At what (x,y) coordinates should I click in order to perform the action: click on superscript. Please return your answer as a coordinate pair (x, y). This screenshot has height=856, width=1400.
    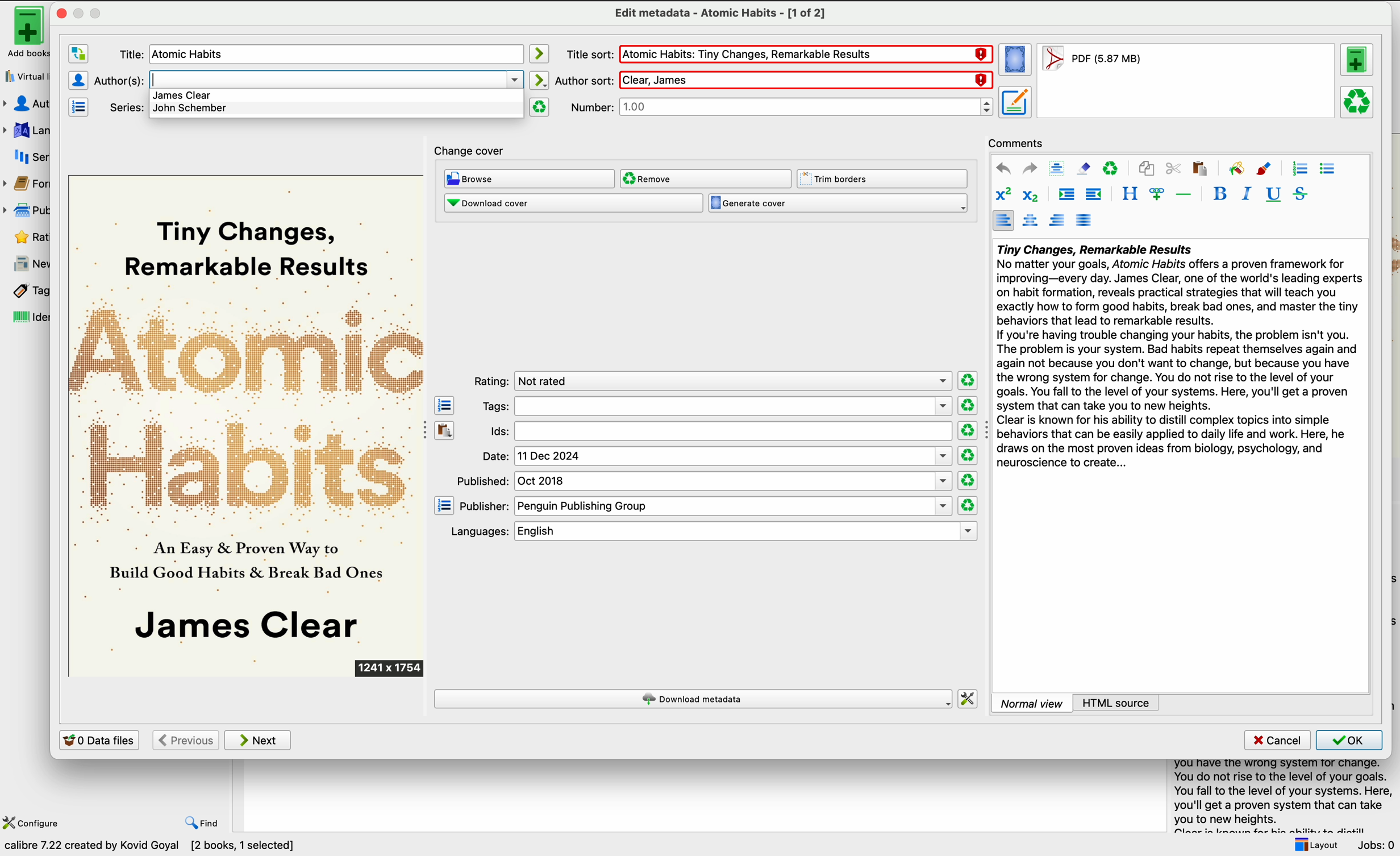
    Looking at the image, I should click on (1002, 194).